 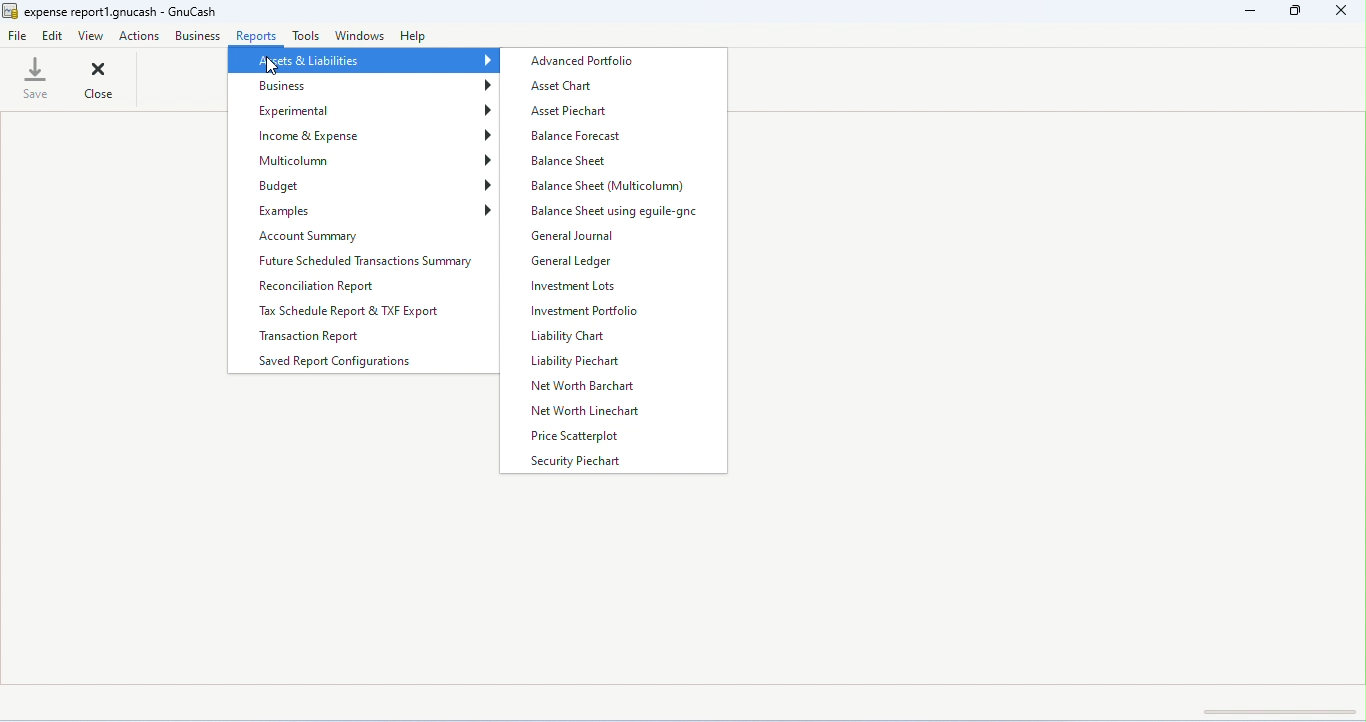 I want to click on edit, so click(x=54, y=37).